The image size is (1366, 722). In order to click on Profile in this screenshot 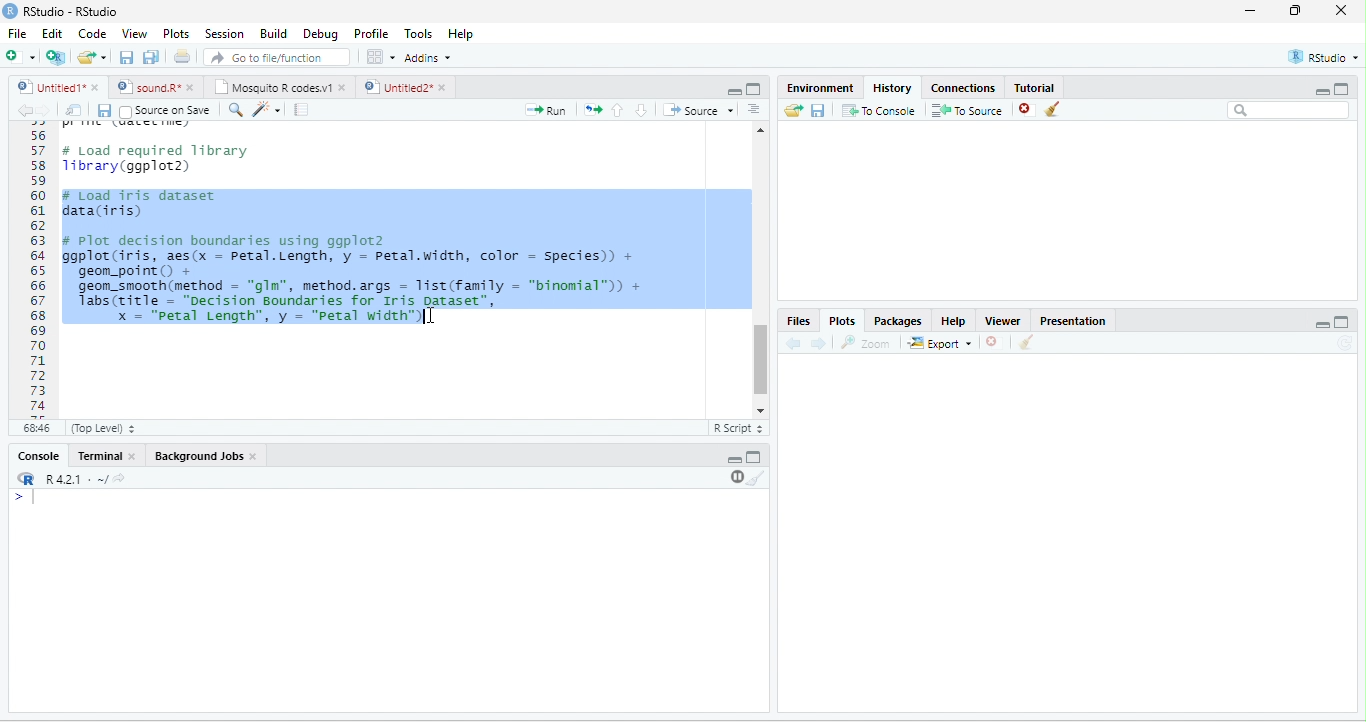, I will do `click(373, 34)`.